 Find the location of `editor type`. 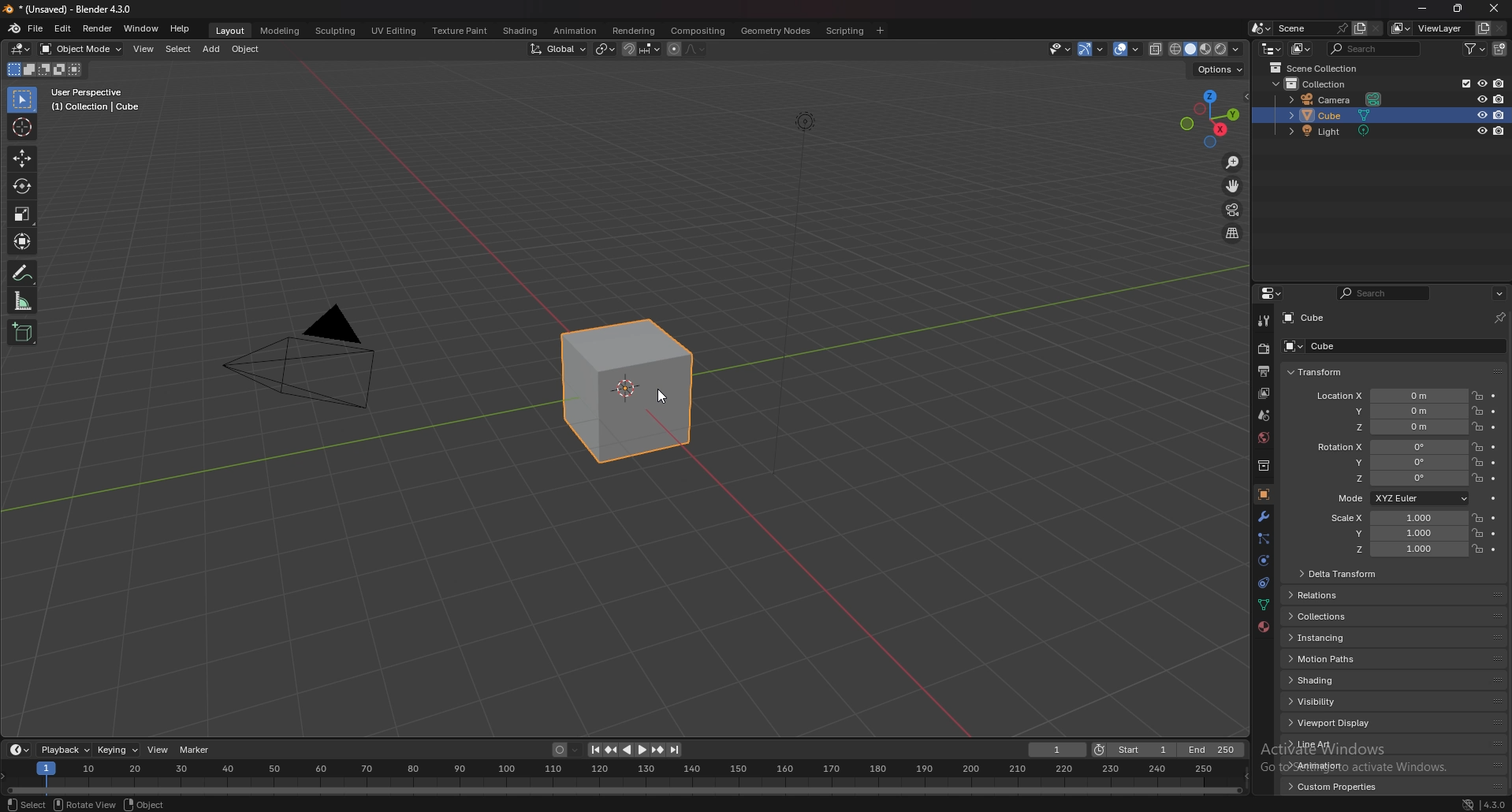

editor type is located at coordinates (21, 49).